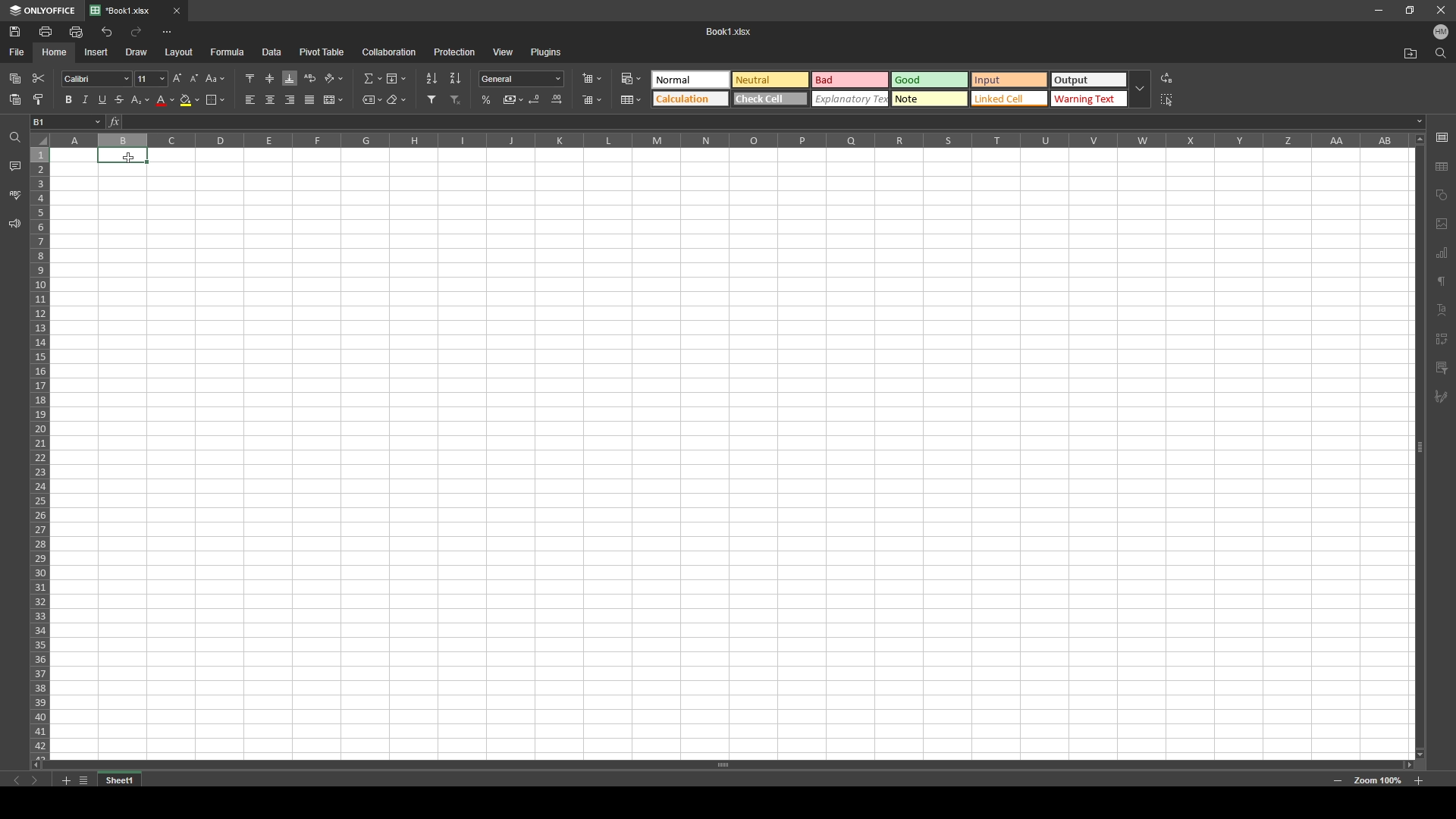  I want to click on zoom out, so click(1338, 780).